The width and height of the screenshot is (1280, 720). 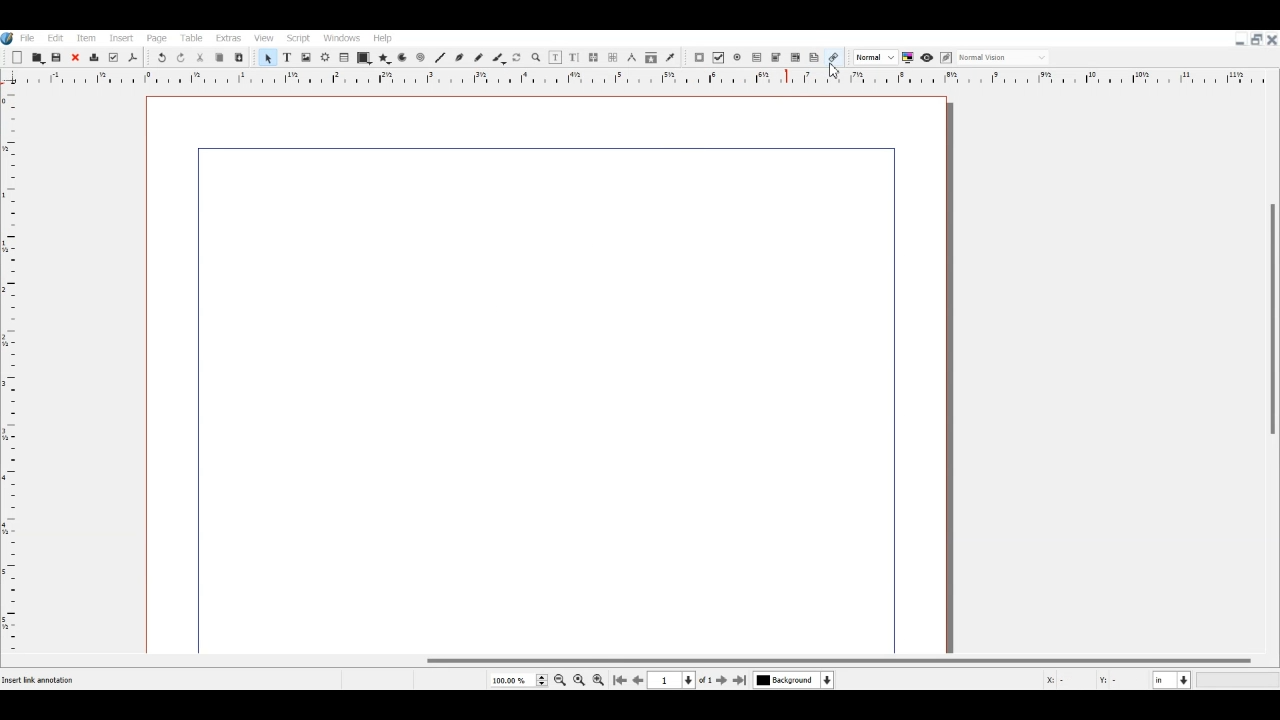 I want to click on Zoom in, so click(x=598, y=679).